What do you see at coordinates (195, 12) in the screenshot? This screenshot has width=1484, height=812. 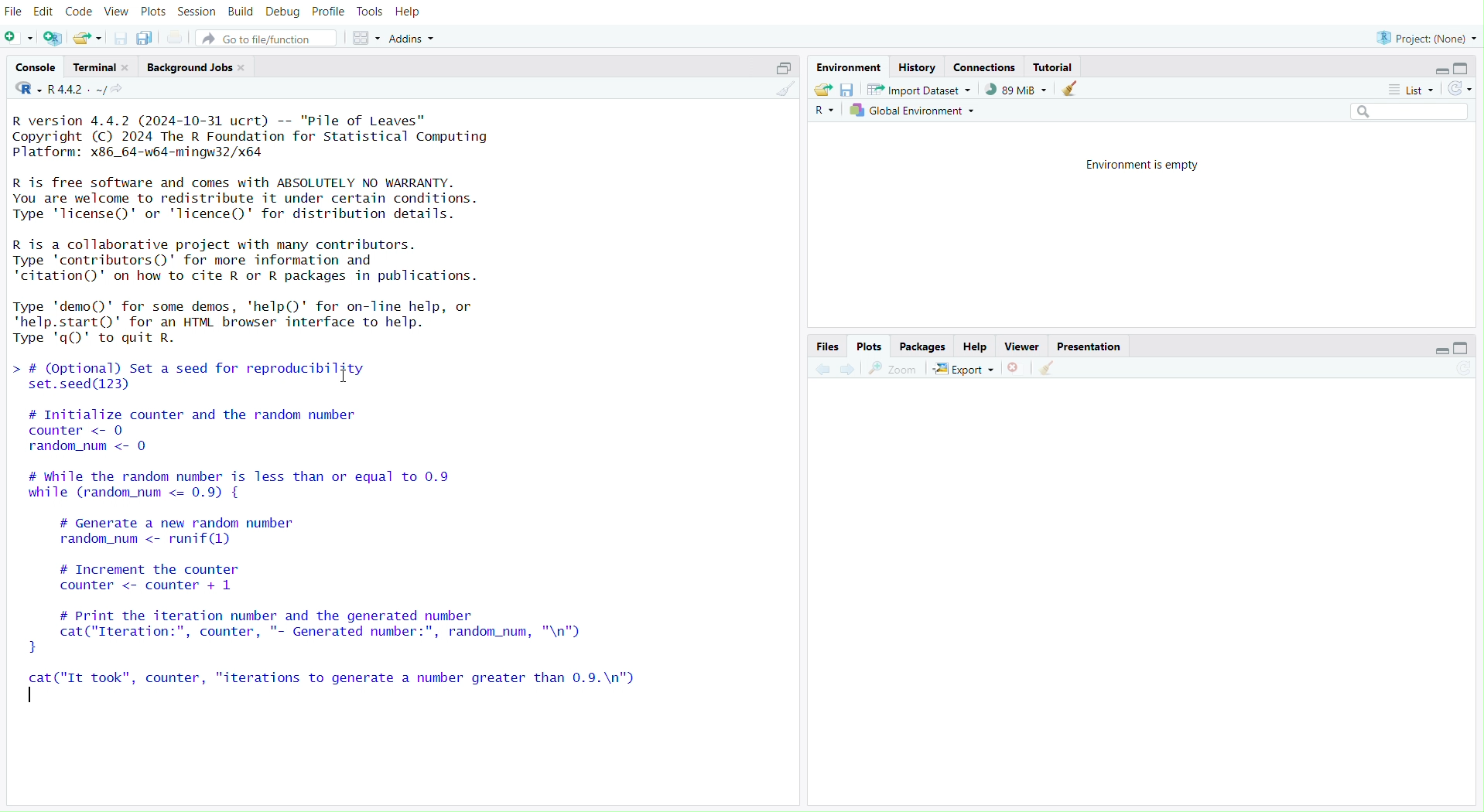 I see `Session` at bounding box center [195, 12].